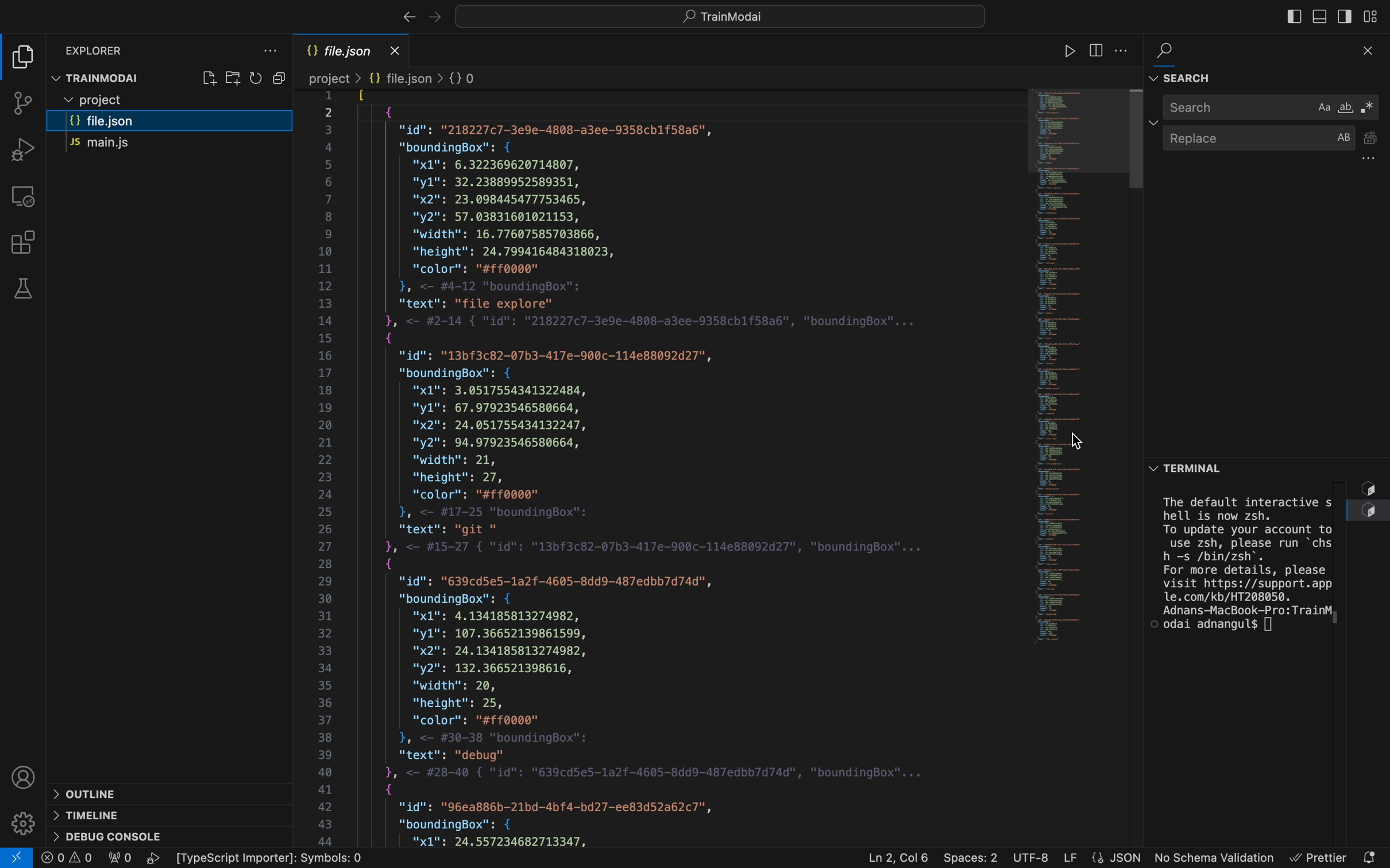  Describe the element at coordinates (22, 824) in the screenshot. I see `Settings` at that location.